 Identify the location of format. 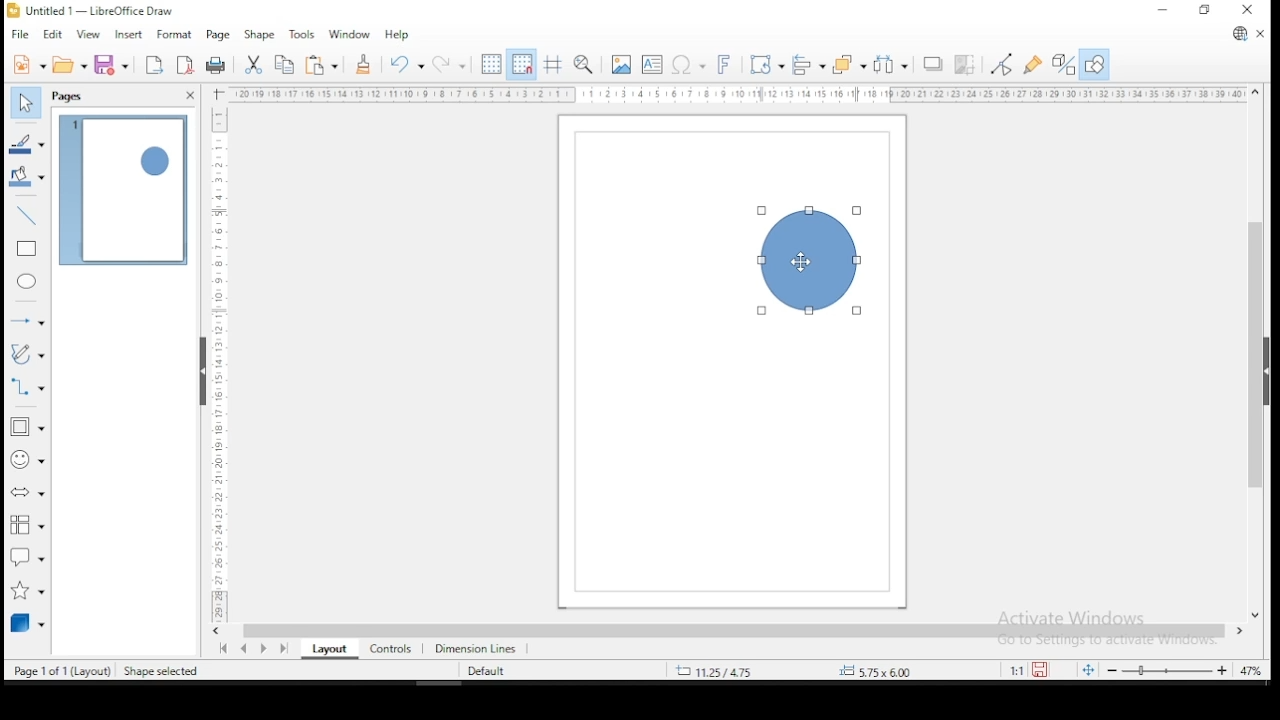
(172, 32).